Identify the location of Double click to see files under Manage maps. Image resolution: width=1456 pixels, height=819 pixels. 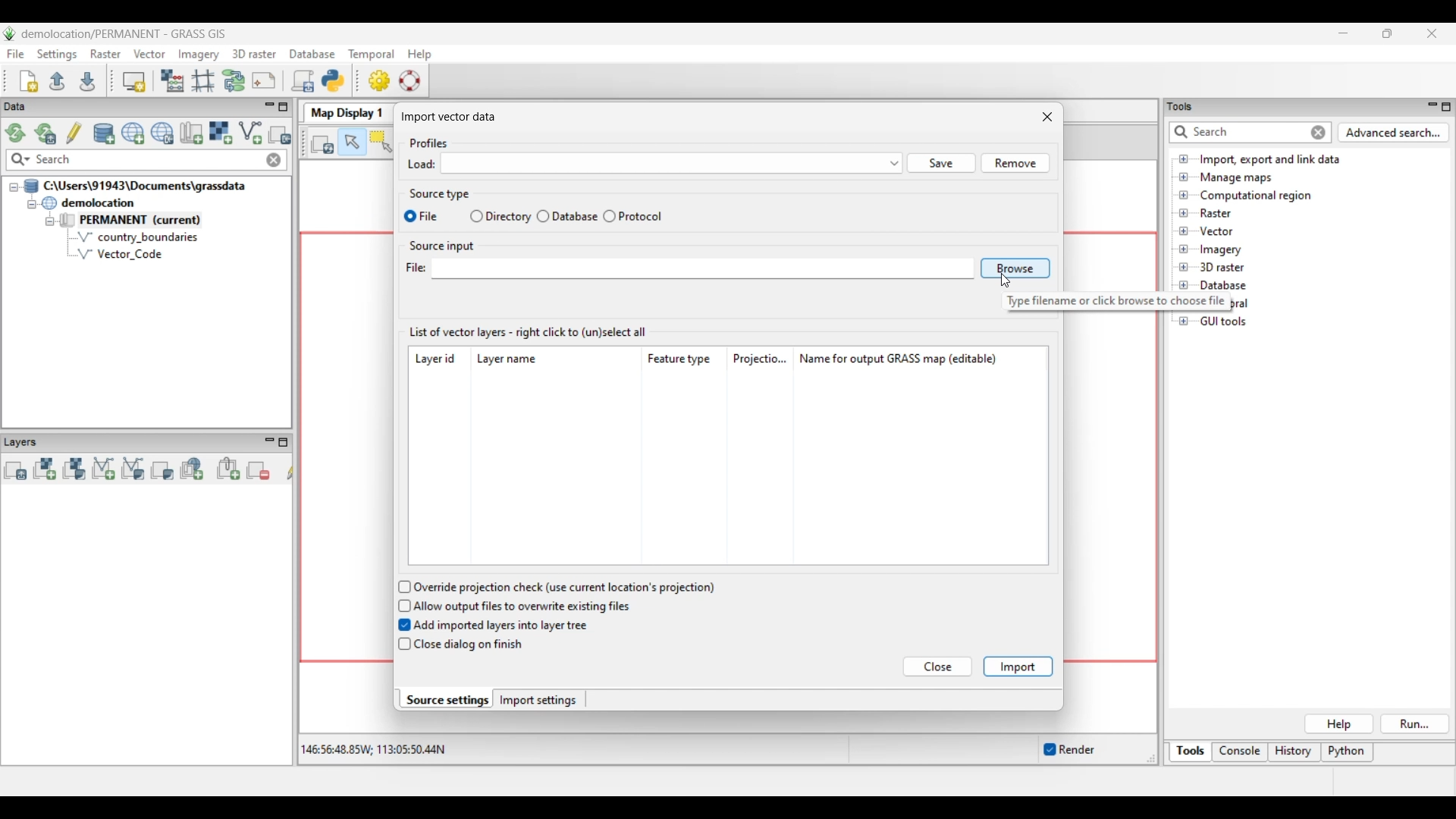
(1237, 178).